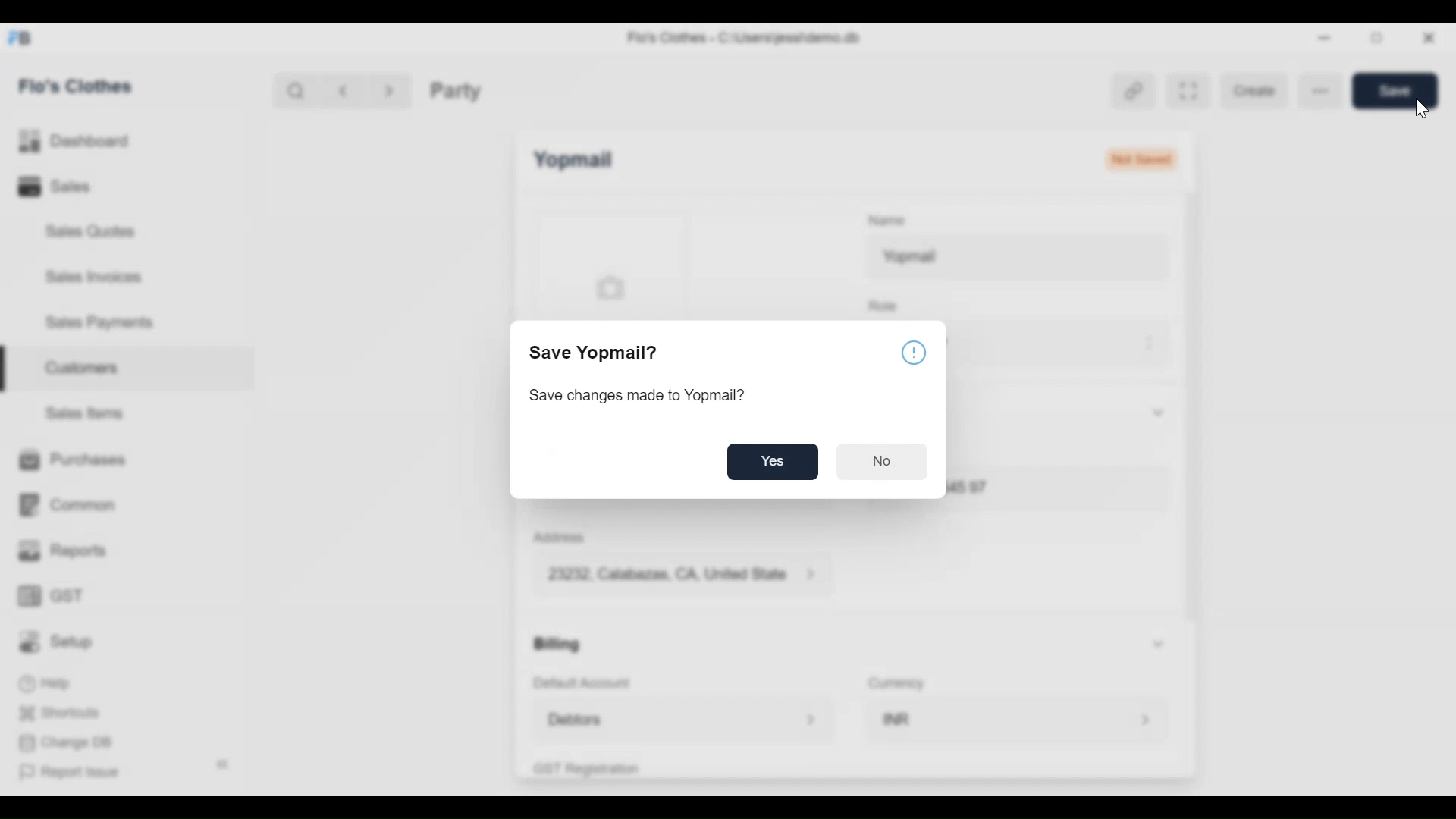 The width and height of the screenshot is (1456, 819). I want to click on Save changes made to Yopmail?, so click(639, 397).